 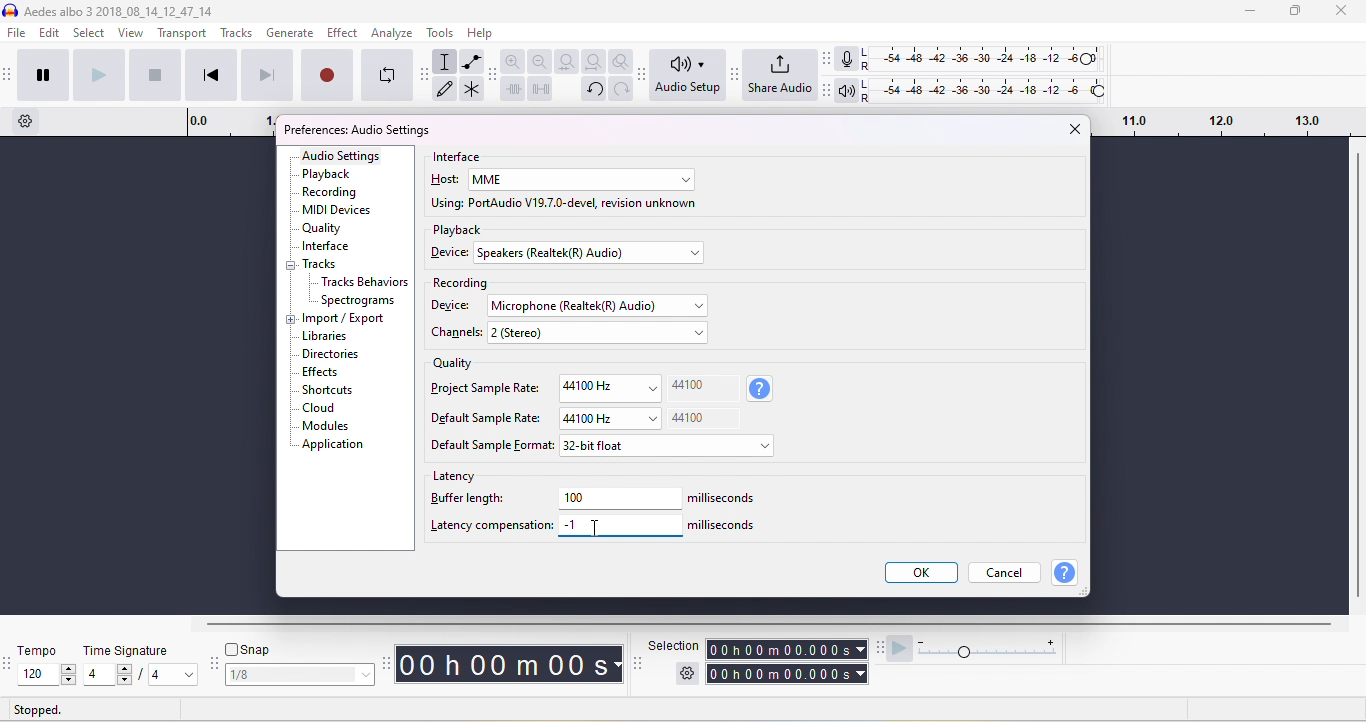 I want to click on select recording device, so click(x=605, y=306).